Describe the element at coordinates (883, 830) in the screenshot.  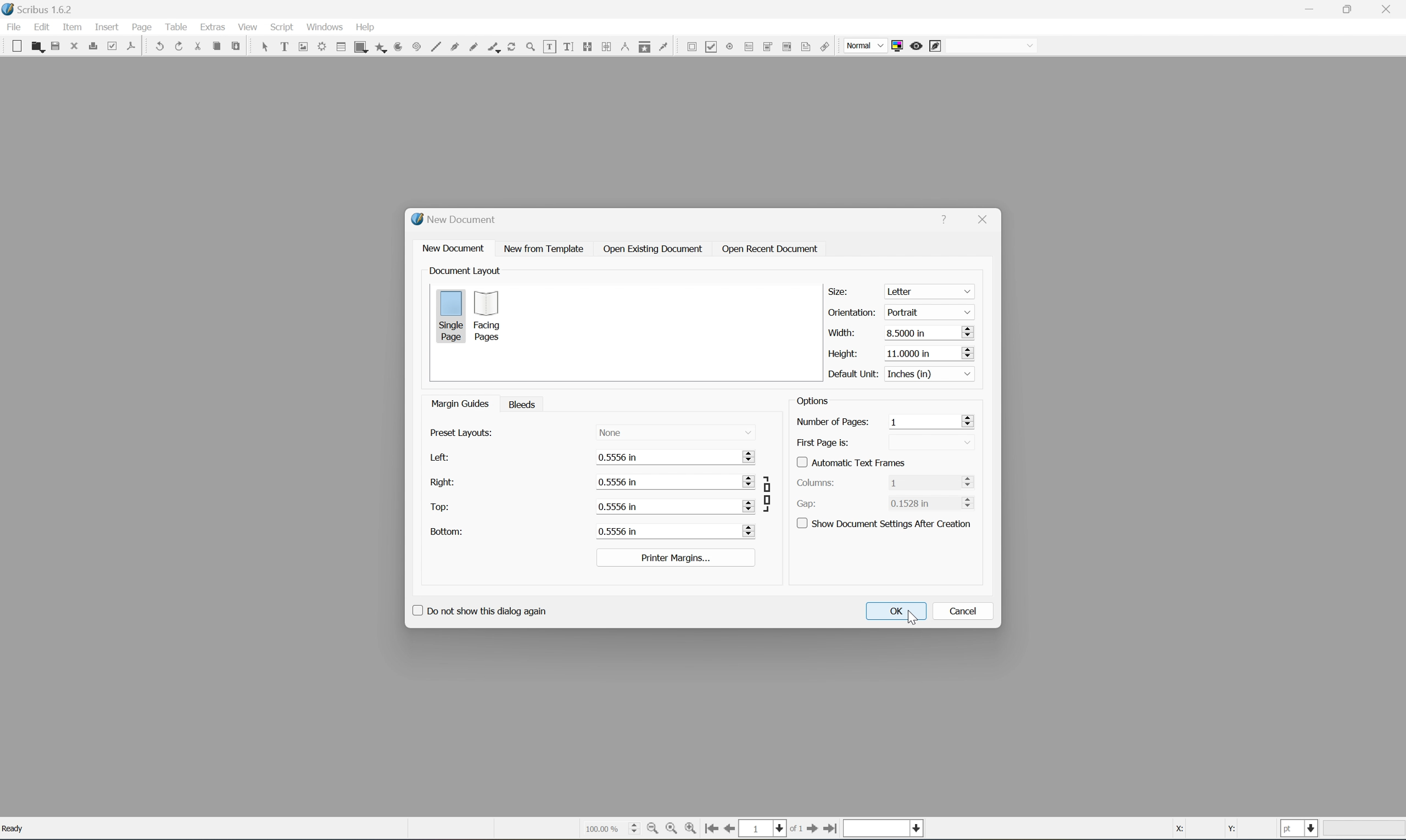
I see `select current layer` at that location.